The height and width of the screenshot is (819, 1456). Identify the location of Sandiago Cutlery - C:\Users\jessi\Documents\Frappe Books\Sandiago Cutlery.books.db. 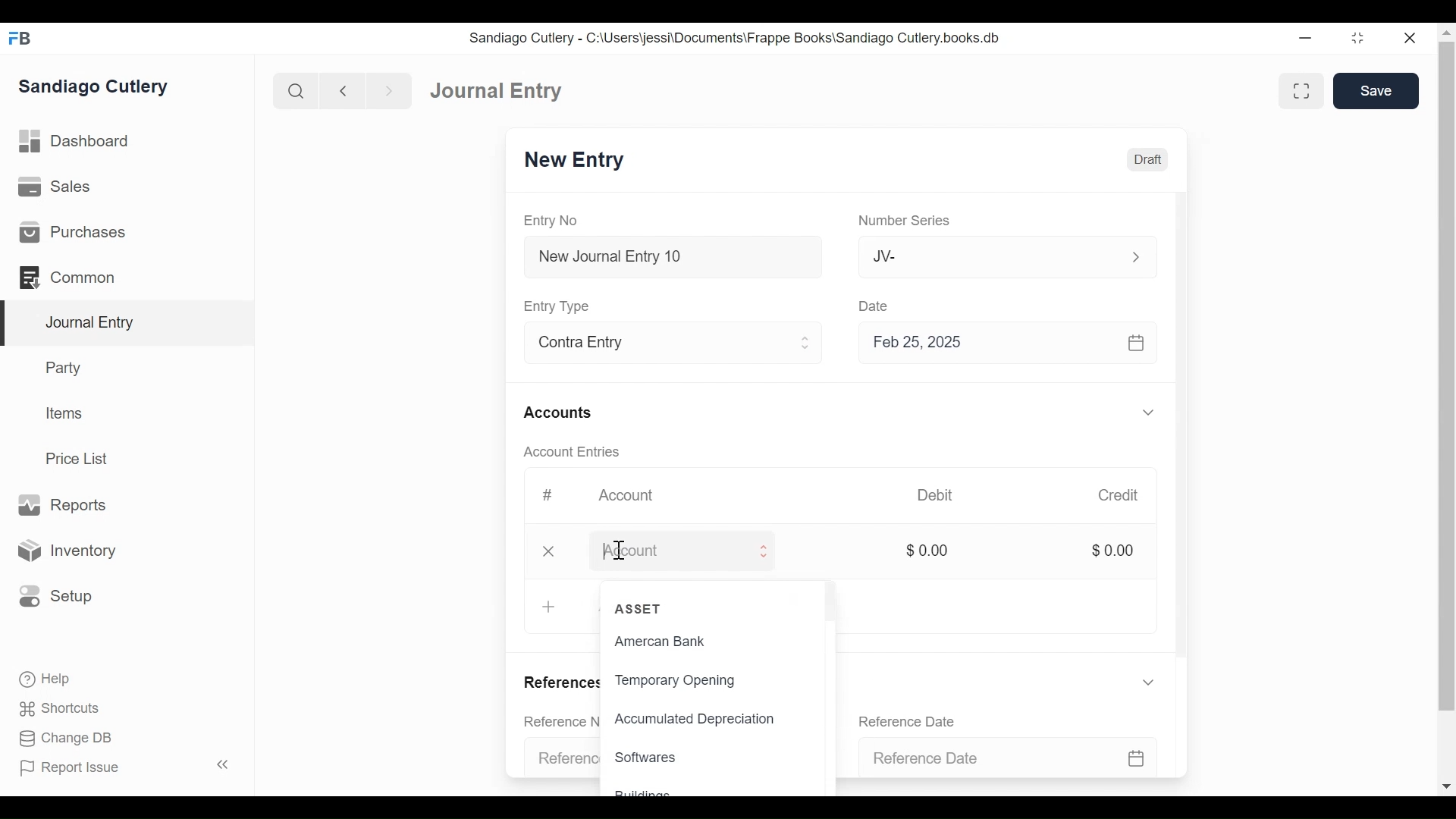
(742, 39).